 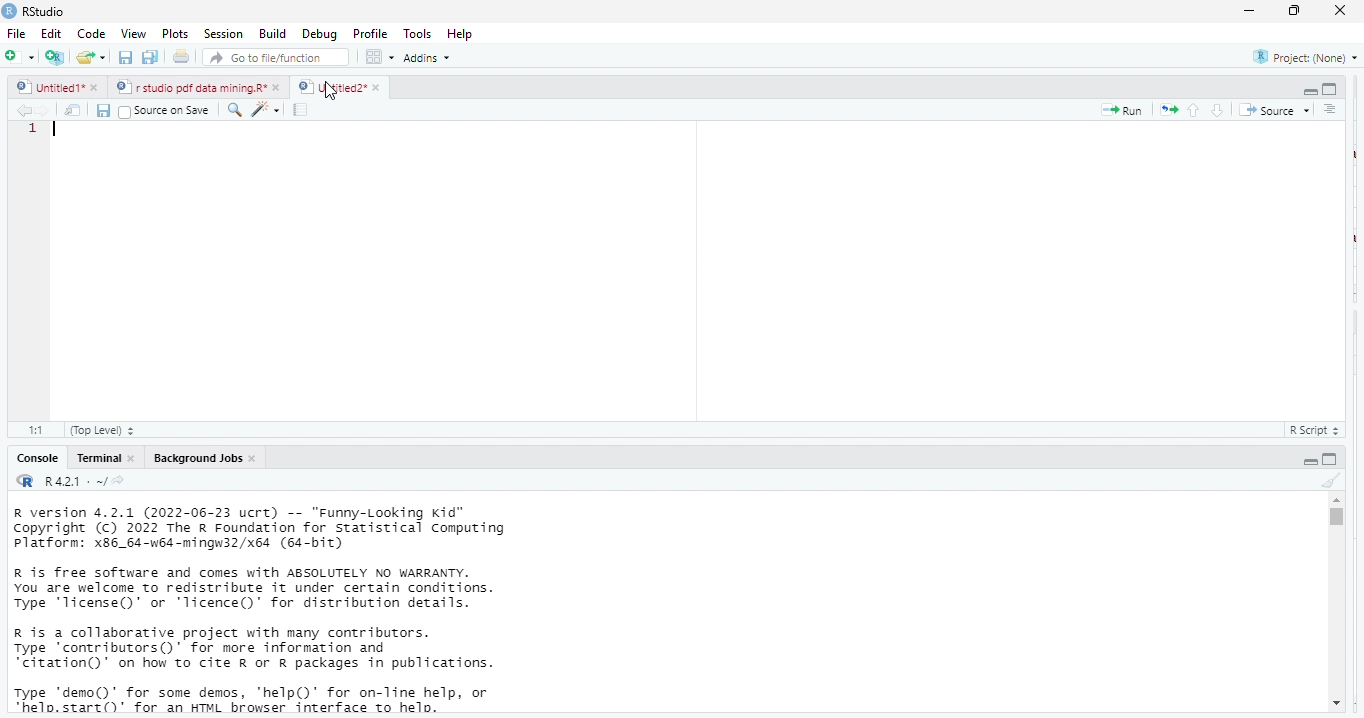 What do you see at coordinates (1336, 500) in the screenshot?
I see `scroll up` at bounding box center [1336, 500].